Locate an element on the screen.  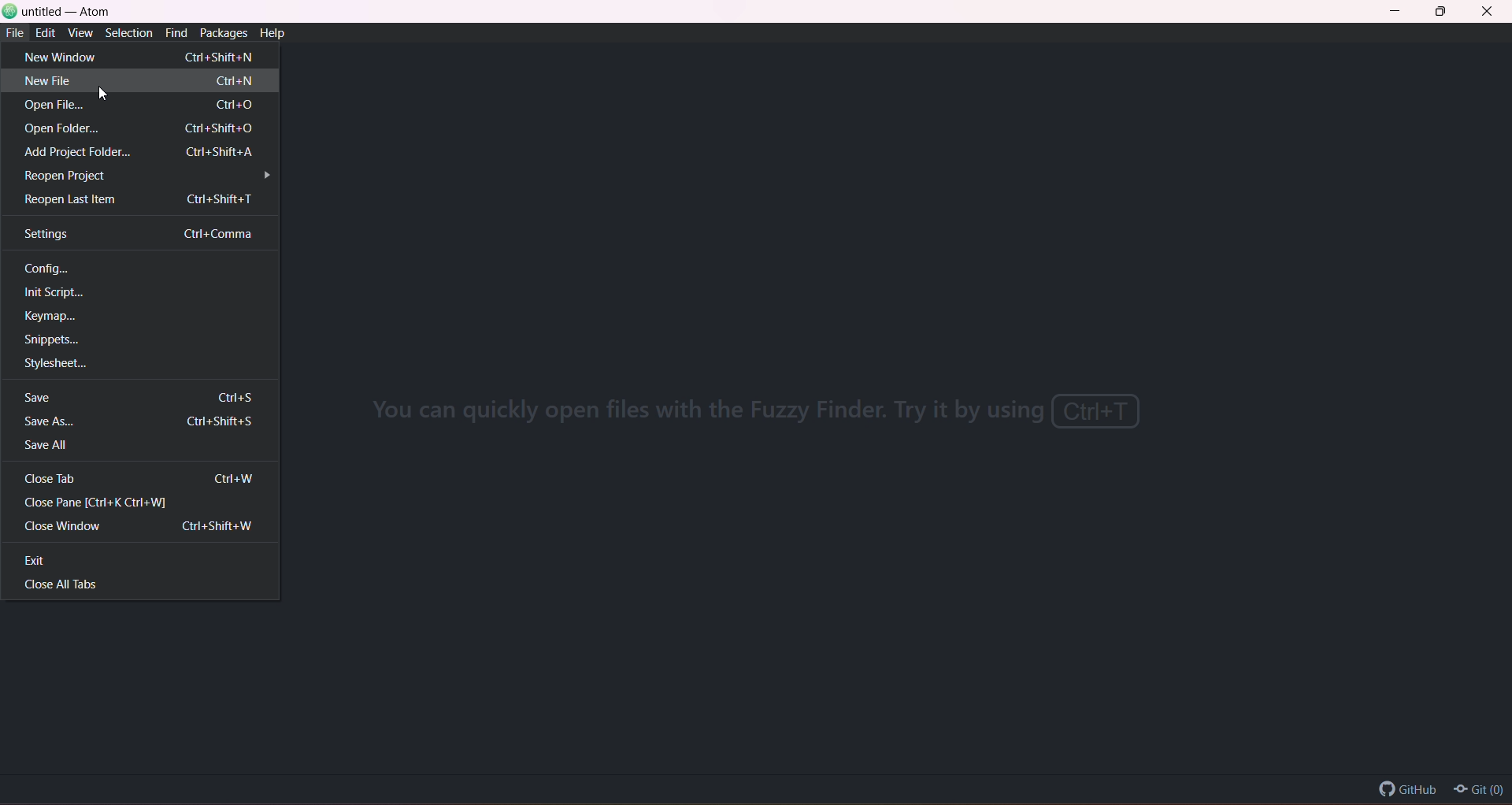
Close All Tabs is located at coordinates (70, 586).